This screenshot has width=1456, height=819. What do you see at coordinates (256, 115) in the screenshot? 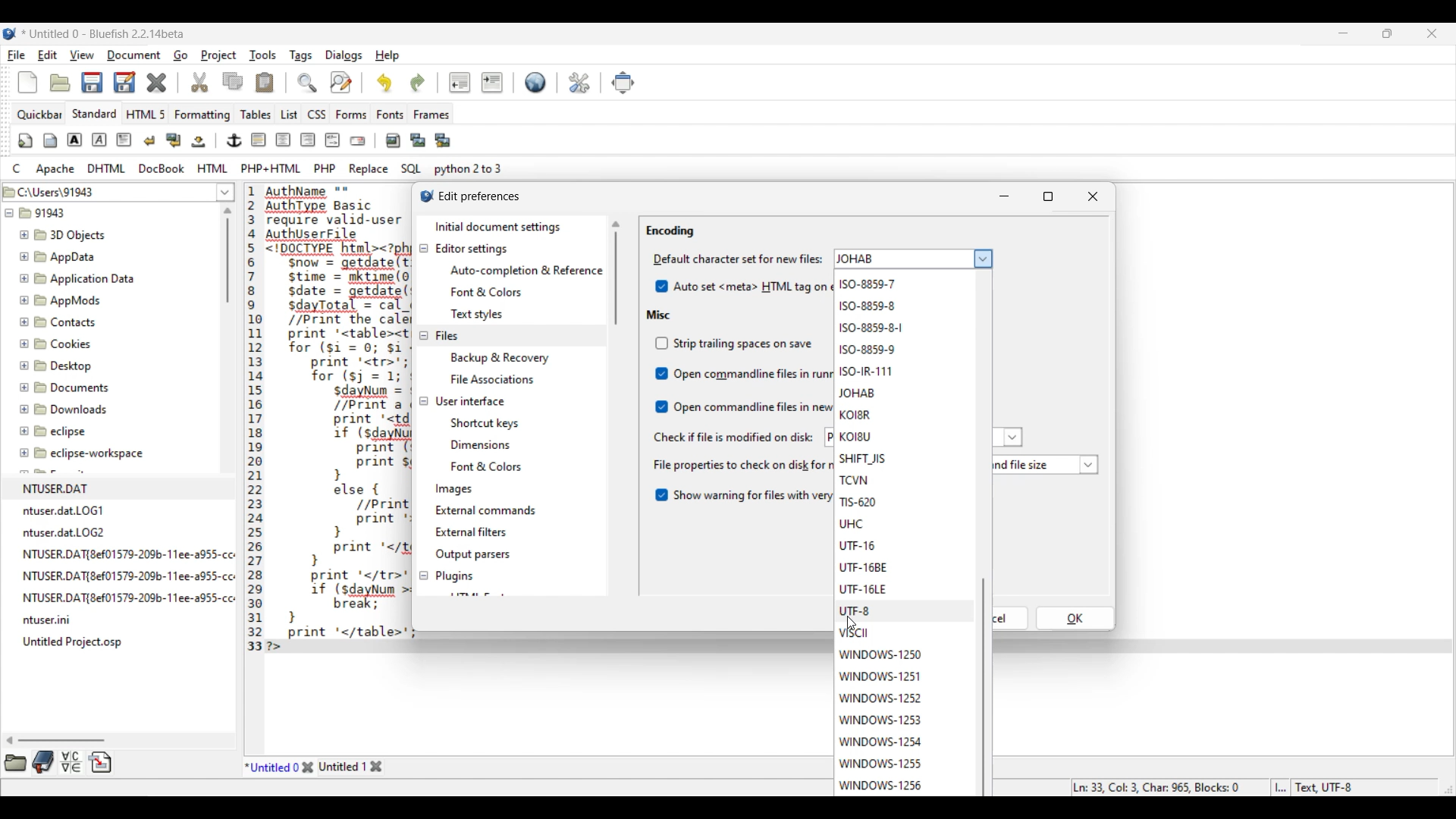
I see `Tables menu` at bounding box center [256, 115].